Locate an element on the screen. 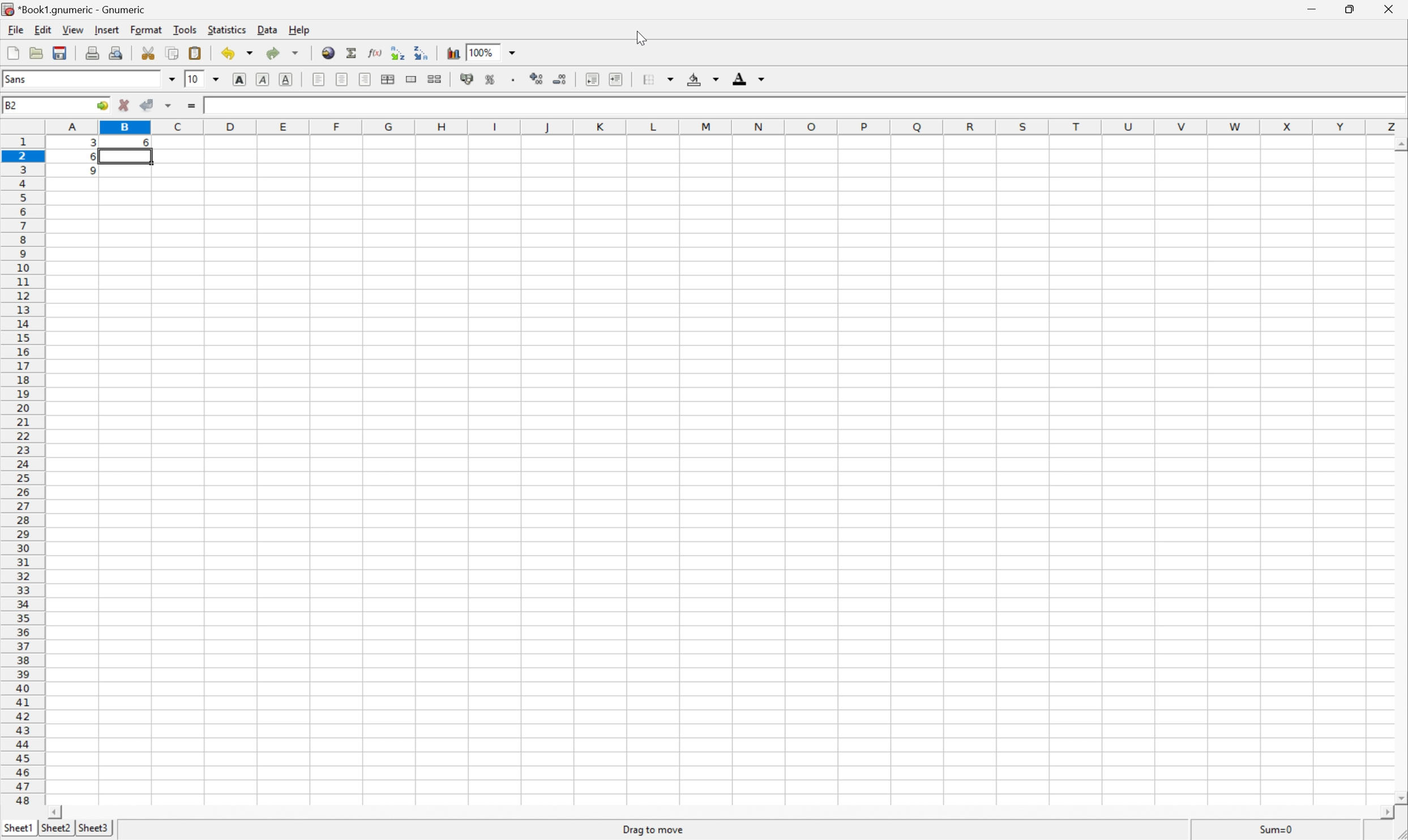  100% is located at coordinates (485, 52).